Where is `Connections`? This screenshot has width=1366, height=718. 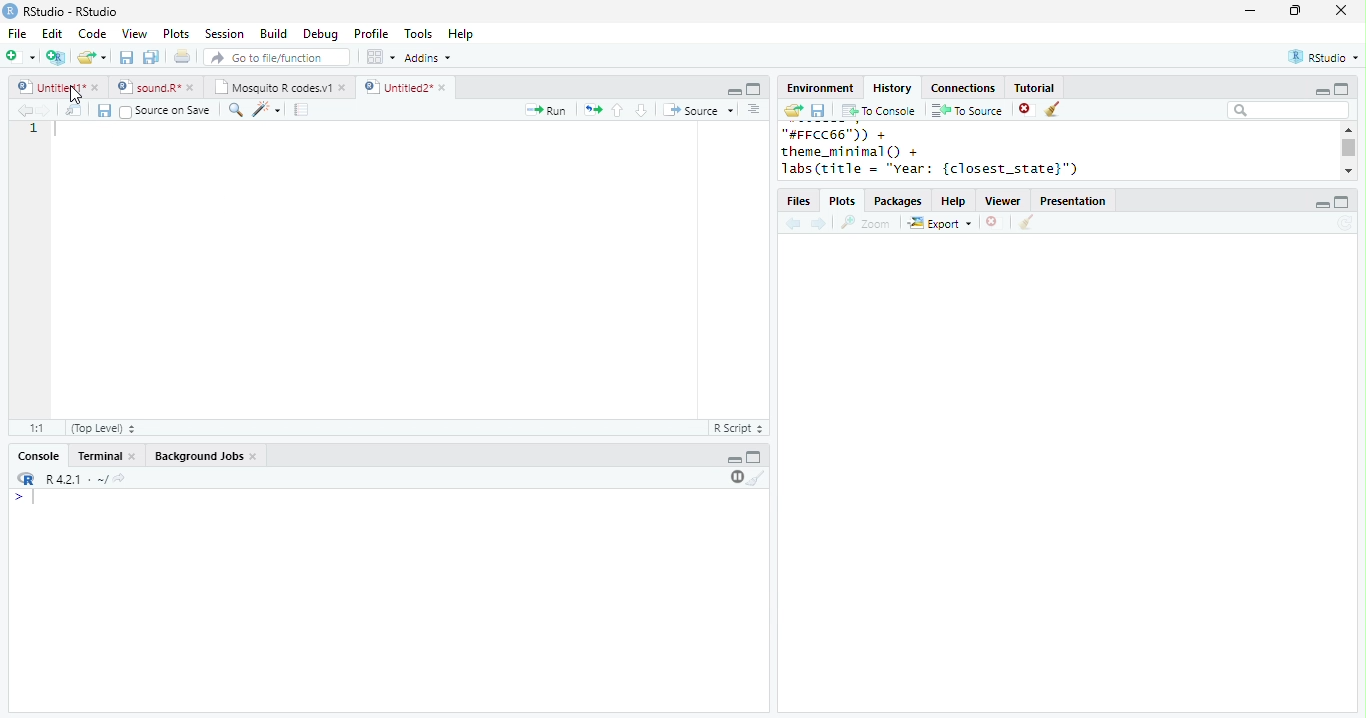 Connections is located at coordinates (962, 88).